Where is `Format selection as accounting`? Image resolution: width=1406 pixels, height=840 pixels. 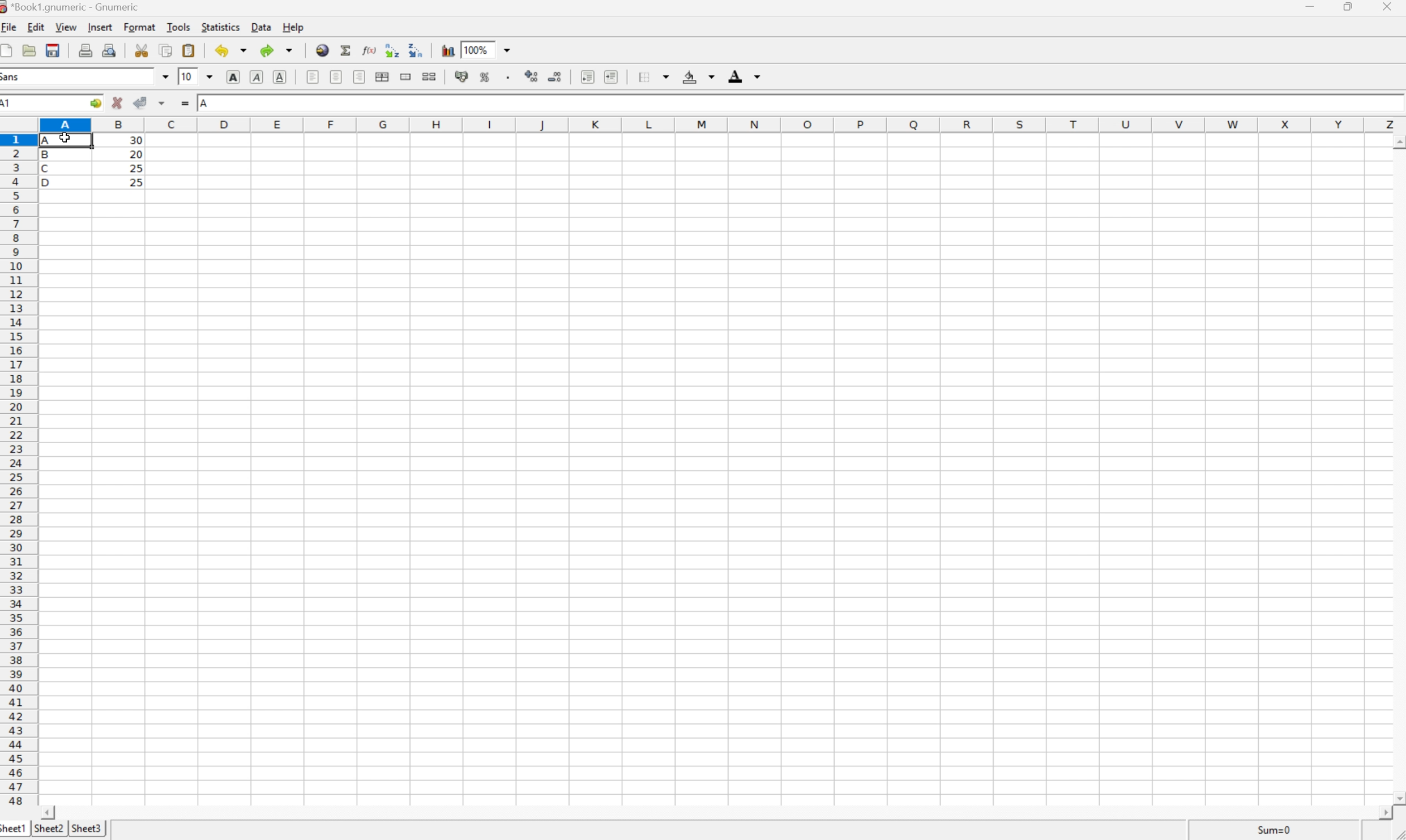
Format selection as accounting is located at coordinates (462, 76).